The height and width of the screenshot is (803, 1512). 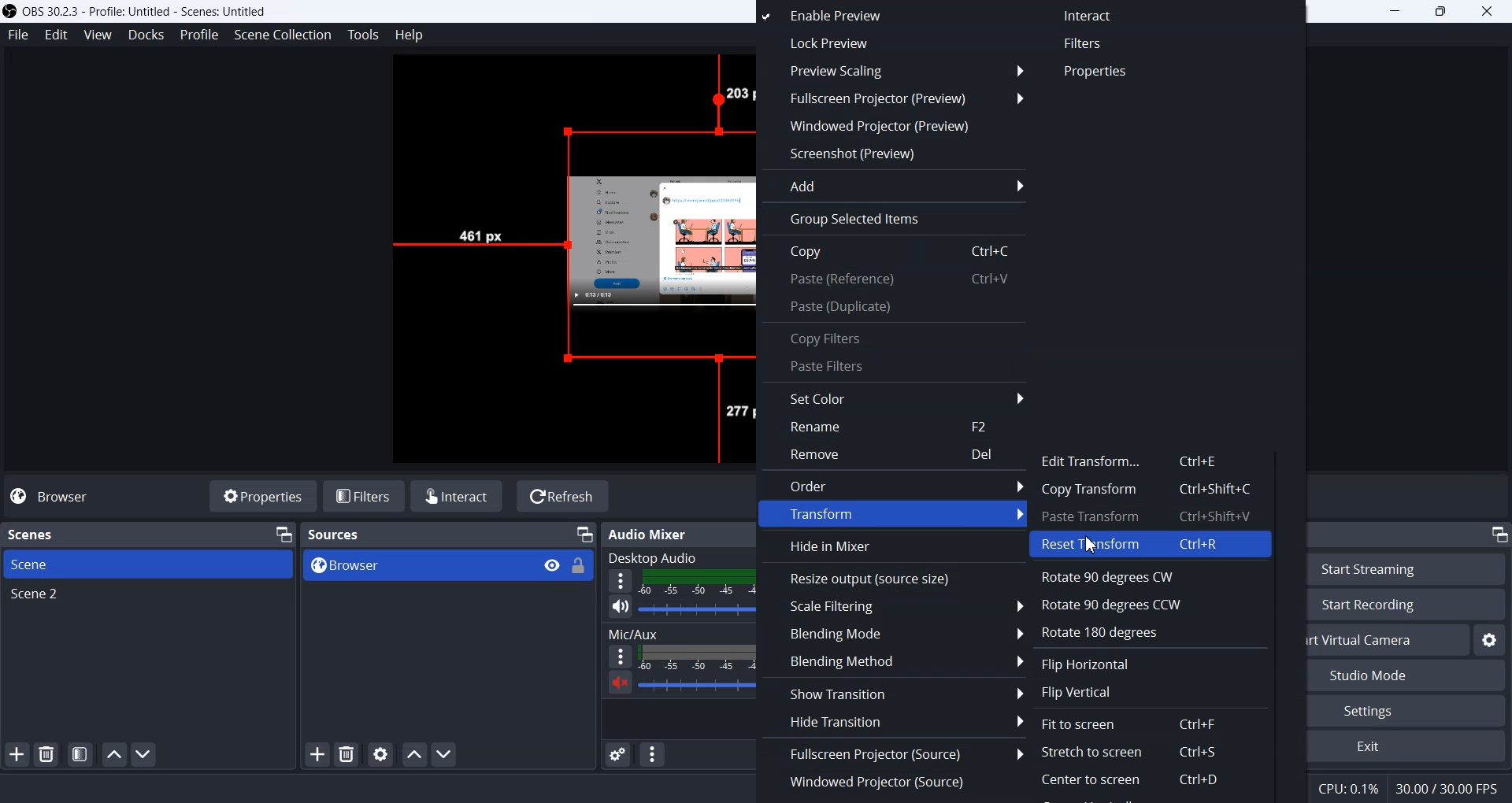 What do you see at coordinates (619, 755) in the screenshot?
I see `Advance audio properties` at bounding box center [619, 755].